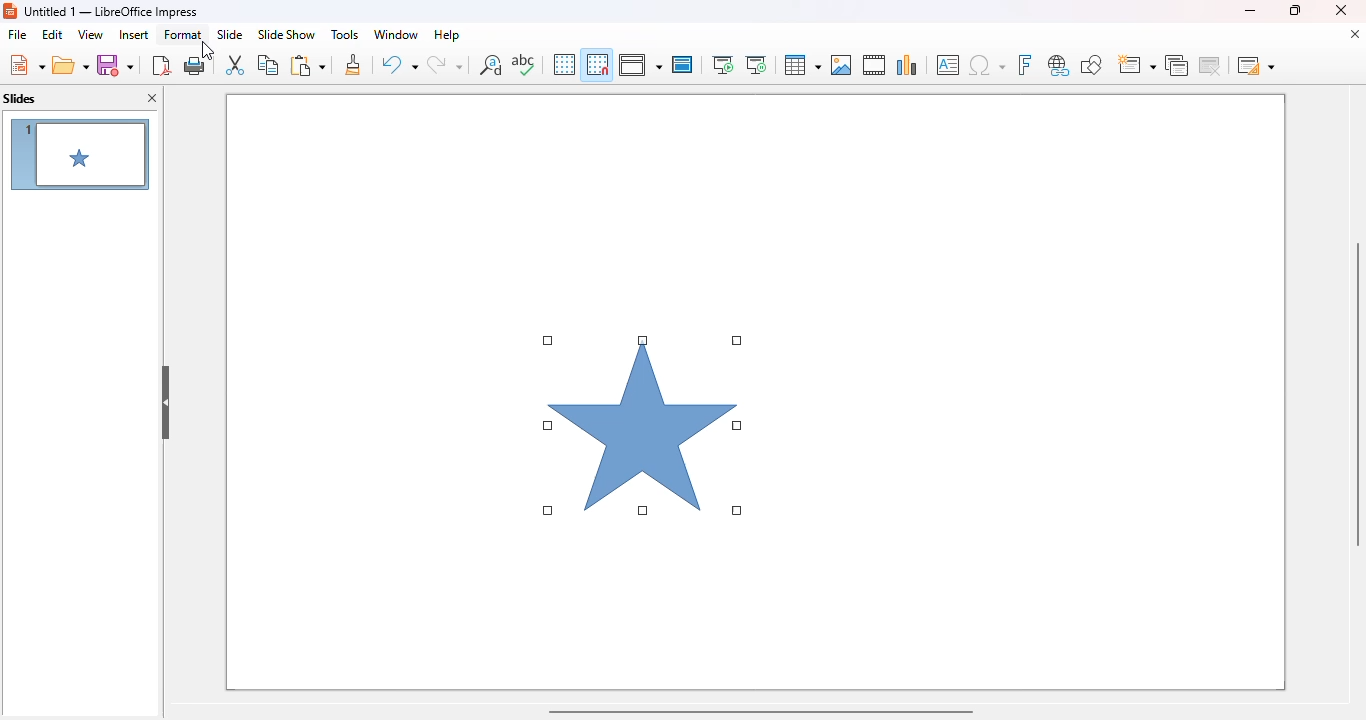 The height and width of the screenshot is (720, 1366). I want to click on duplicate slide, so click(1177, 65).